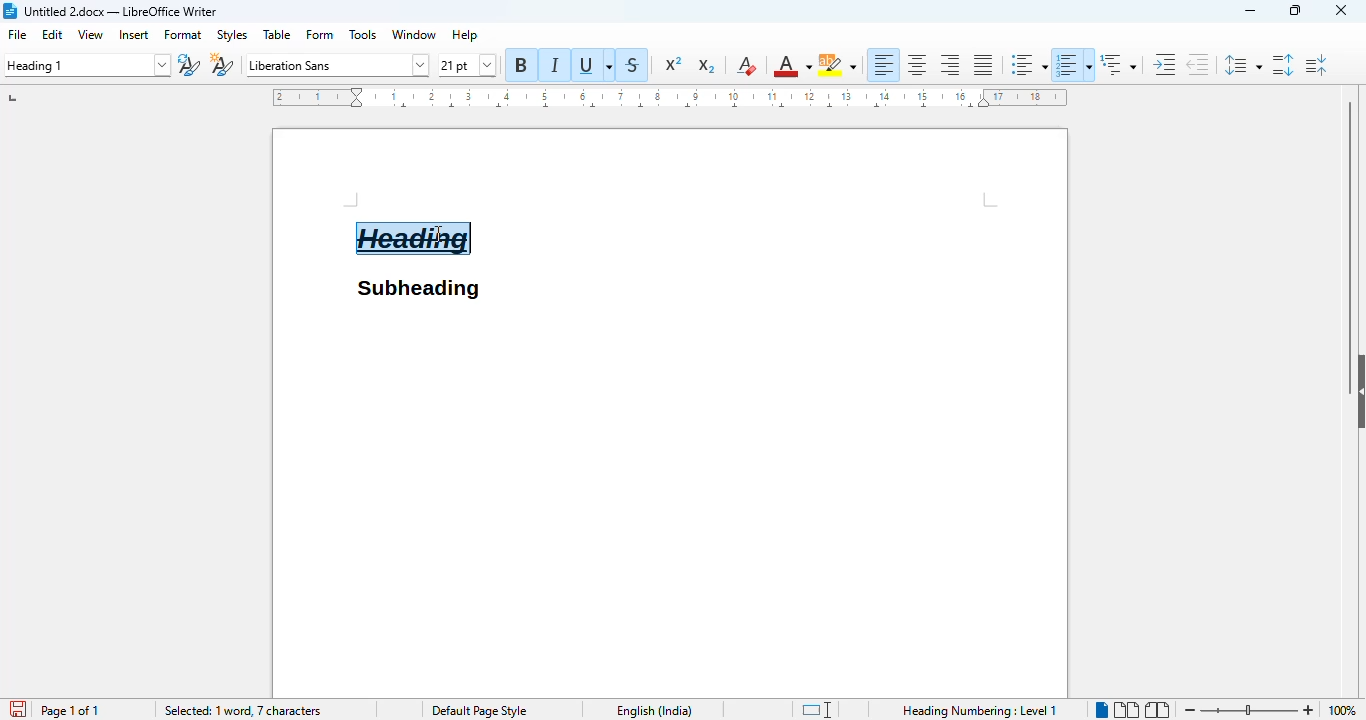 The width and height of the screenshot is (1366, 720). What do you see at coordinates (1251, 11) in the screenshot?
I see `minimize` at bounding box center [1251, 11].